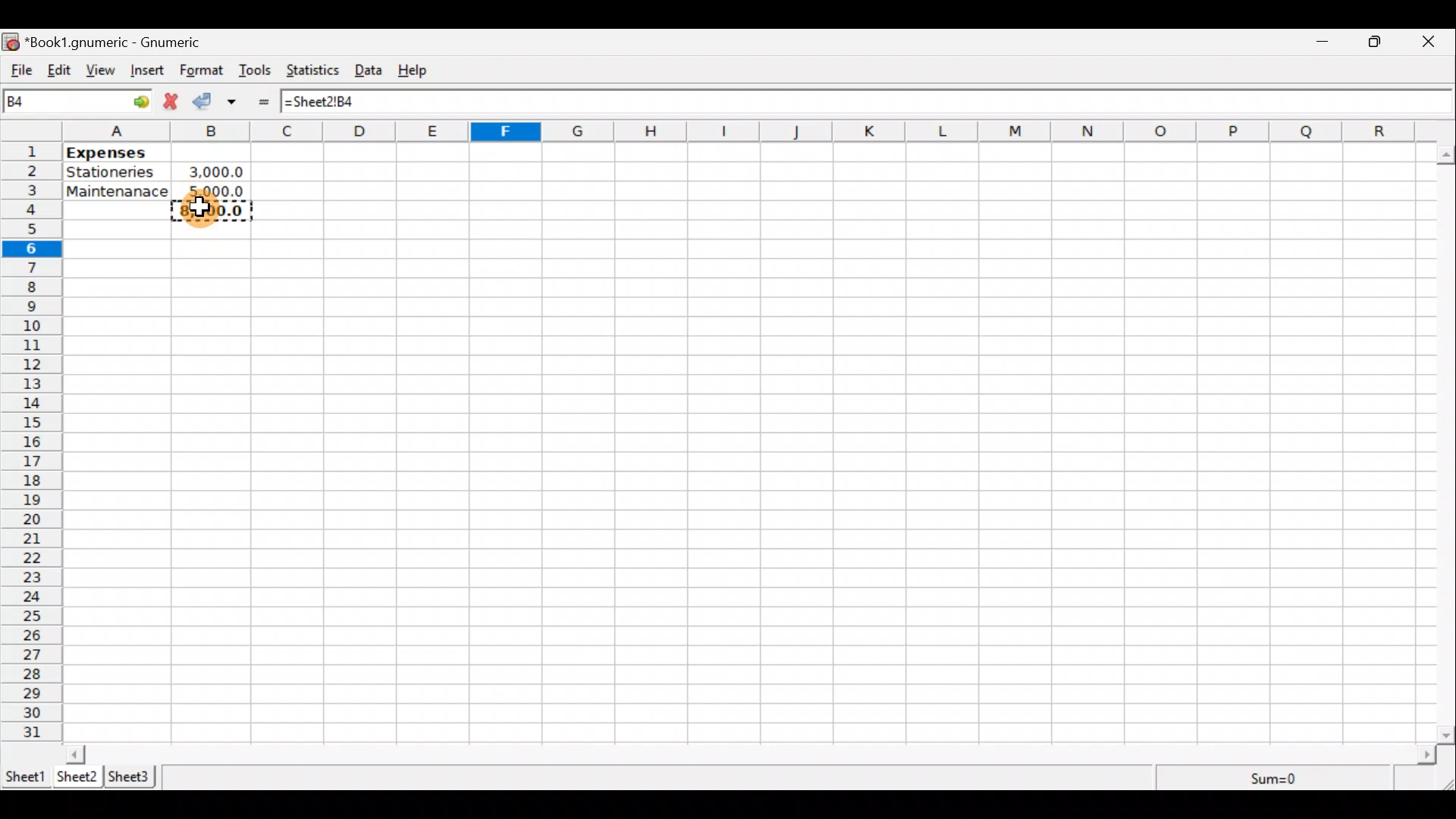  Describe the element at coordinates (118, 193) in the screenshot. I see `Maintenance` at that location.